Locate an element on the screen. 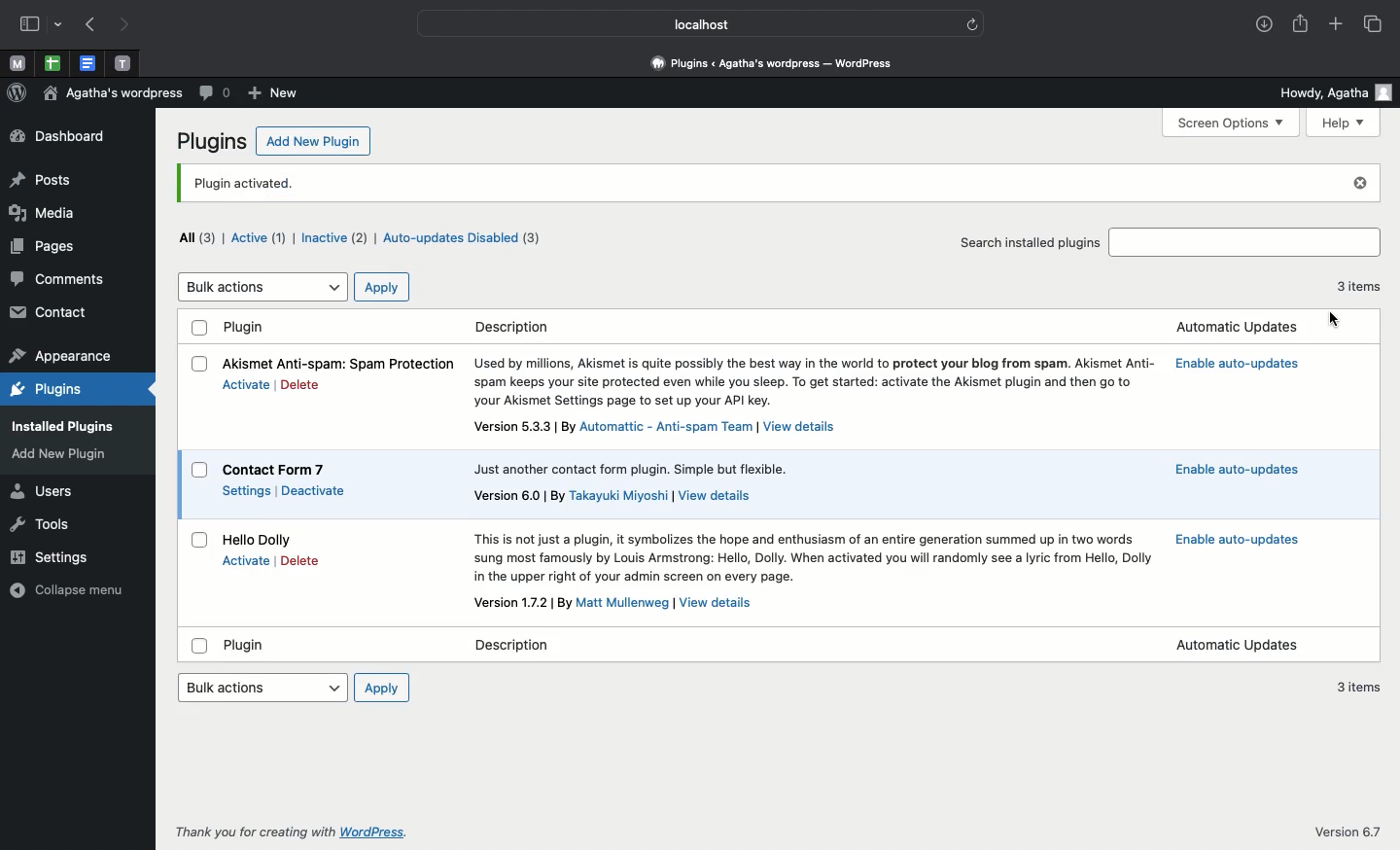 This screenshot has width=1400, height=850. enable auto updates is located at coordinates (1238, 365).